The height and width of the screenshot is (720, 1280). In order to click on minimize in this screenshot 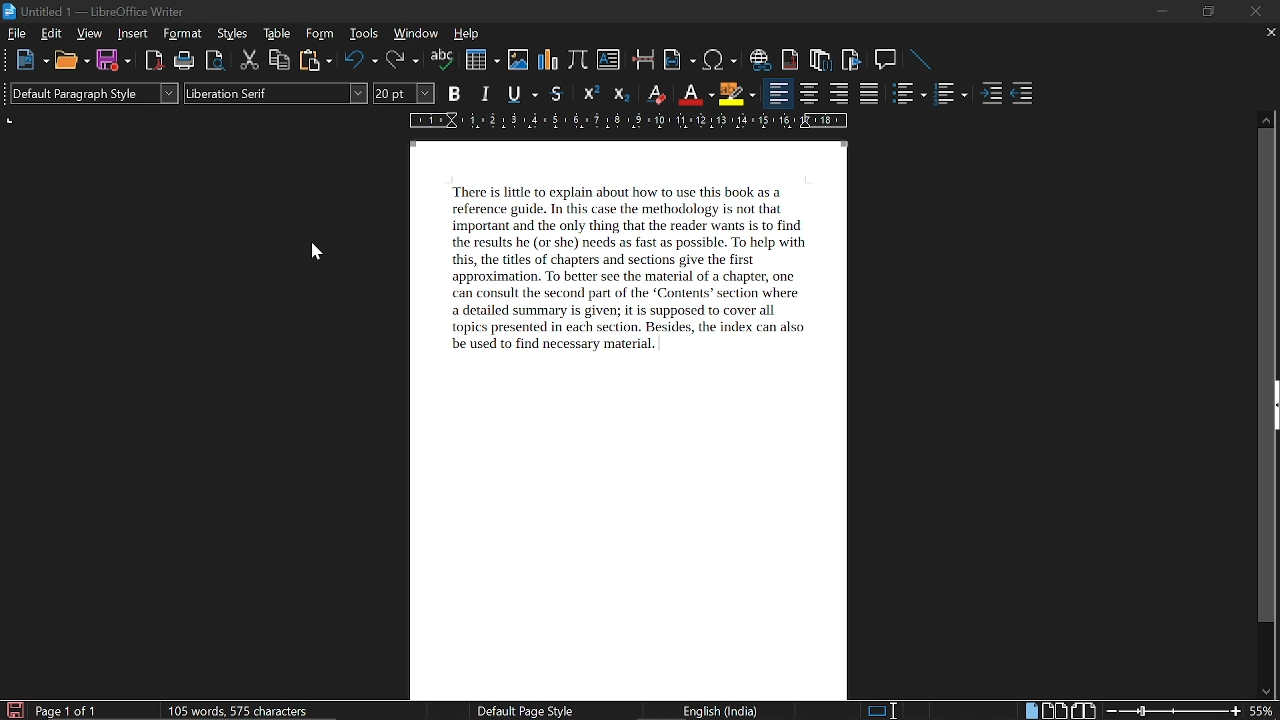, I will do `click(1160, 12)`.